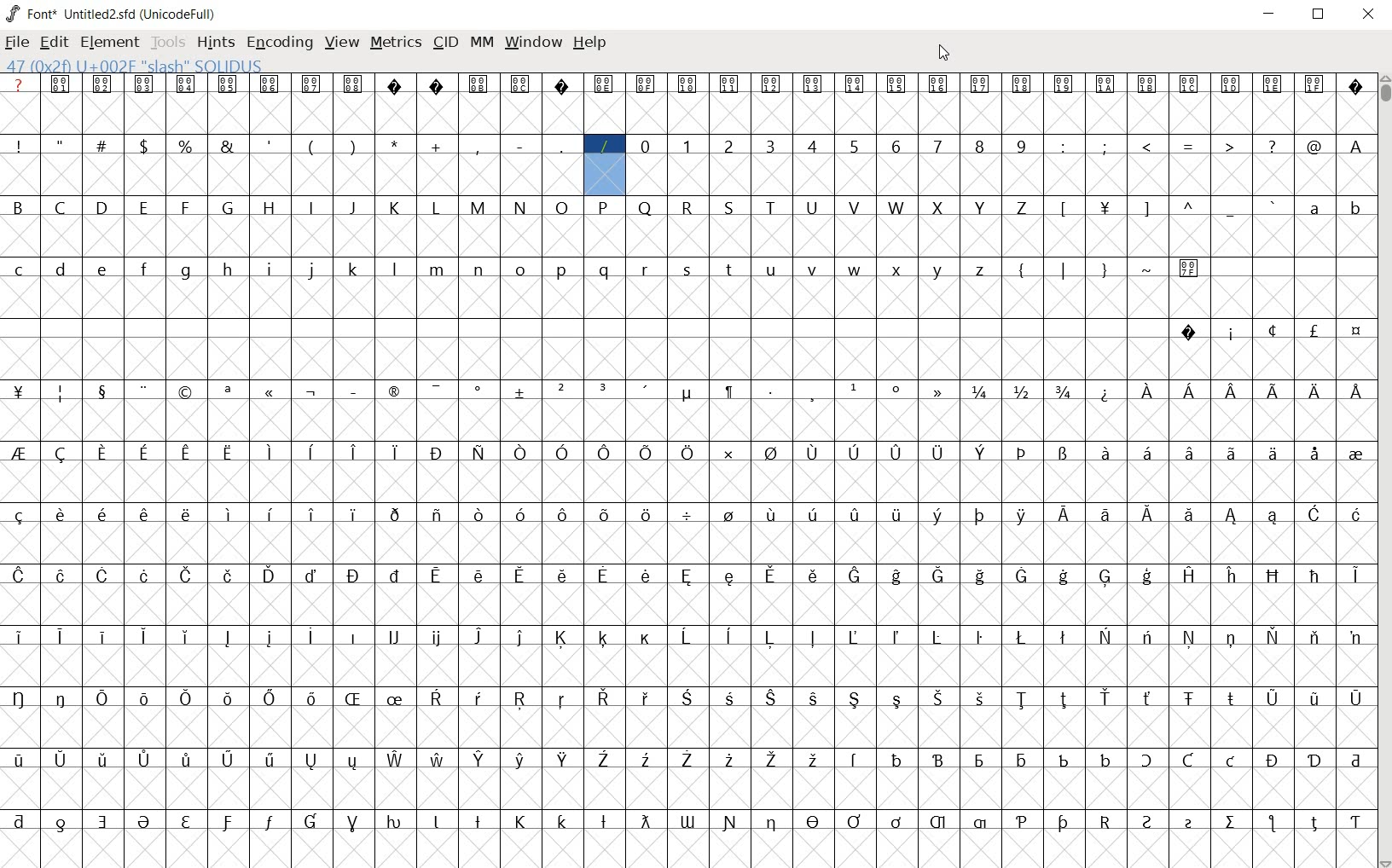 The width and height of the screenshot is (1392, 868). Describe the element at coordinates (728, 454) in the screenshot. I see `glyph` at that location.